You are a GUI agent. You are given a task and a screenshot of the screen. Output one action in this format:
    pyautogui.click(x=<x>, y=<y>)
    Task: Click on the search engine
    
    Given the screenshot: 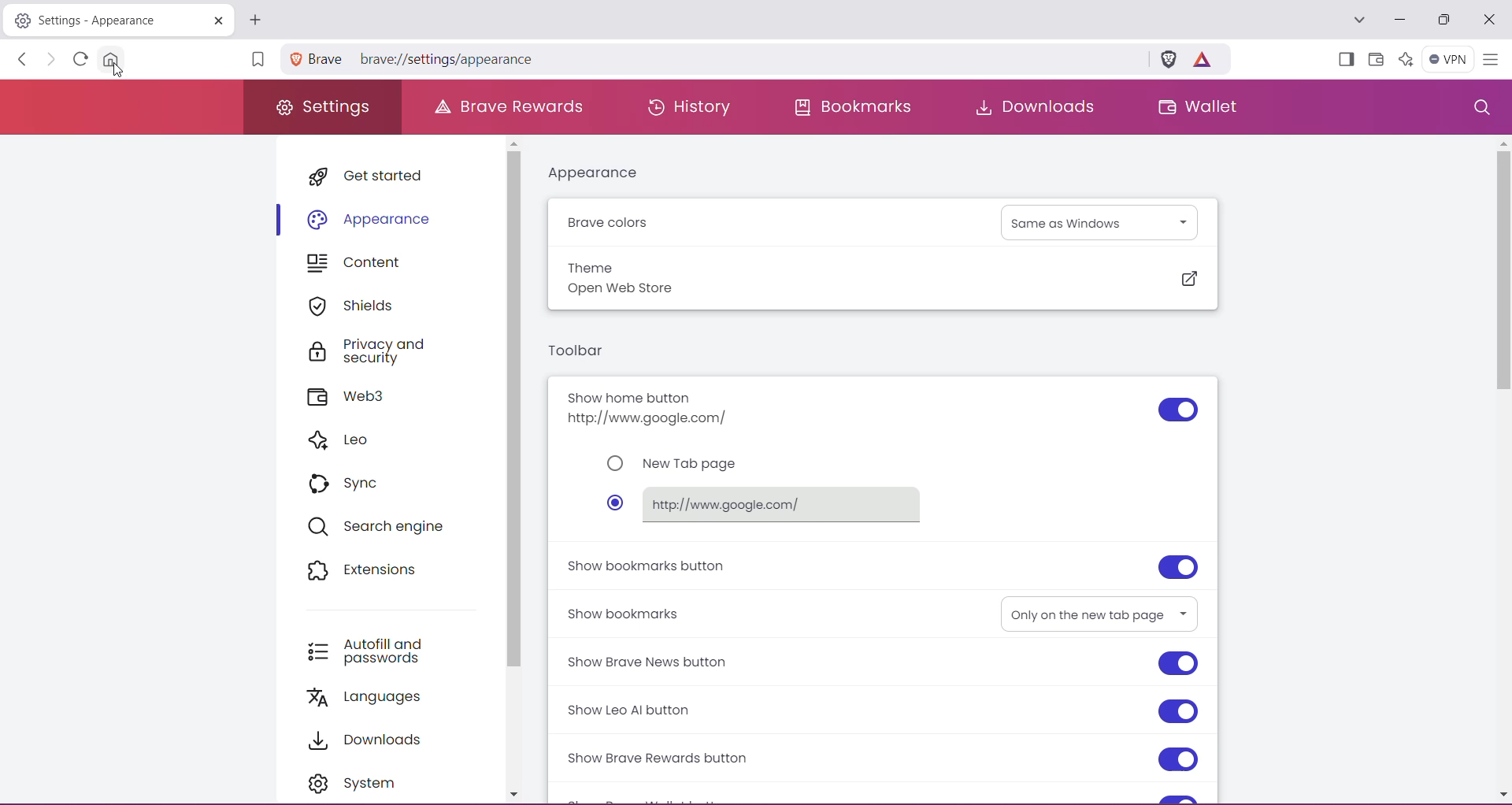 What is the action you would take?
    pyautogui.click(x=385, y=526)
    